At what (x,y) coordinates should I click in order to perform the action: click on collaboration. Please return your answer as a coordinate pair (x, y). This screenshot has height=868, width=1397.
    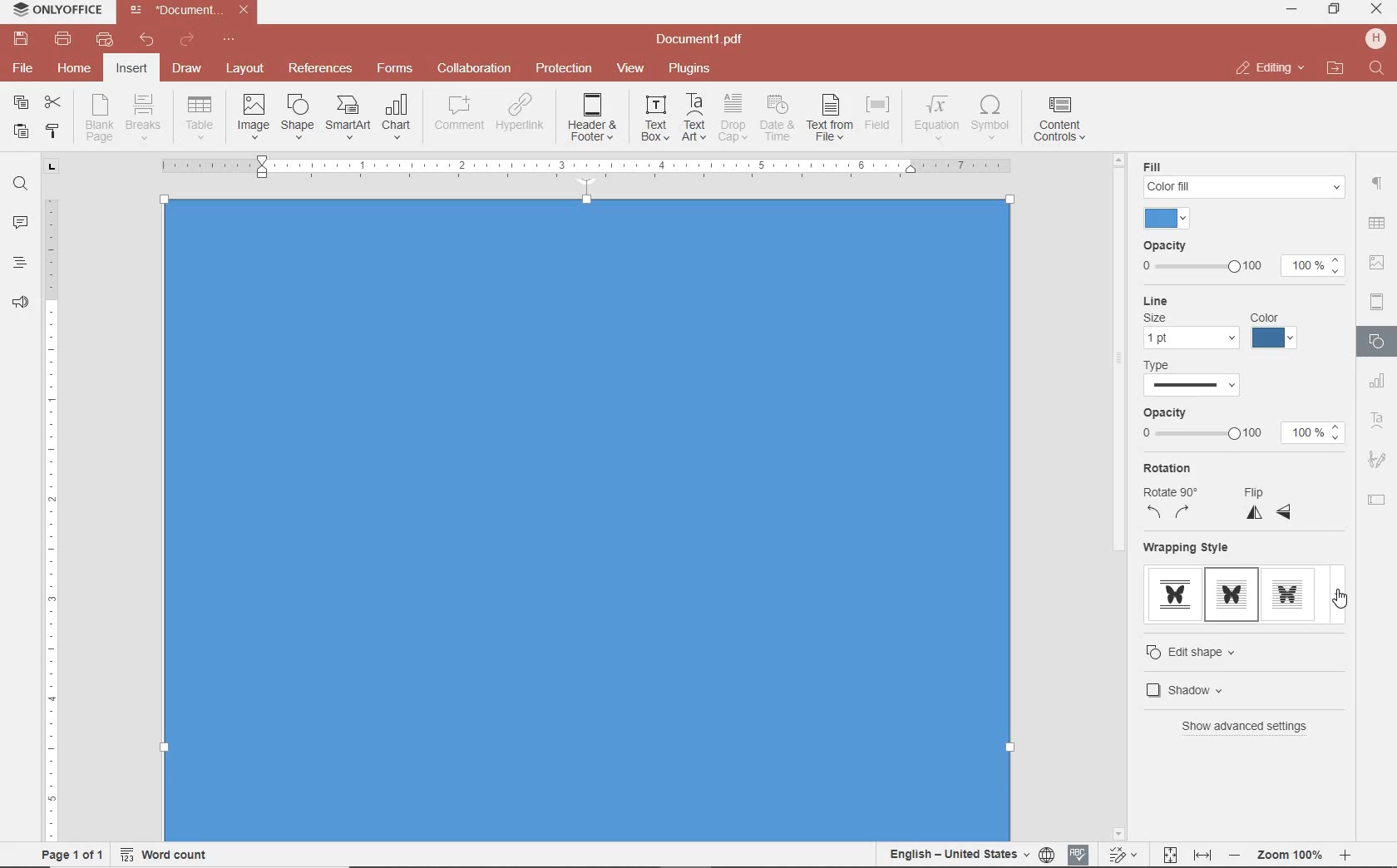
    Looking at the image, I should click on (474, 69).